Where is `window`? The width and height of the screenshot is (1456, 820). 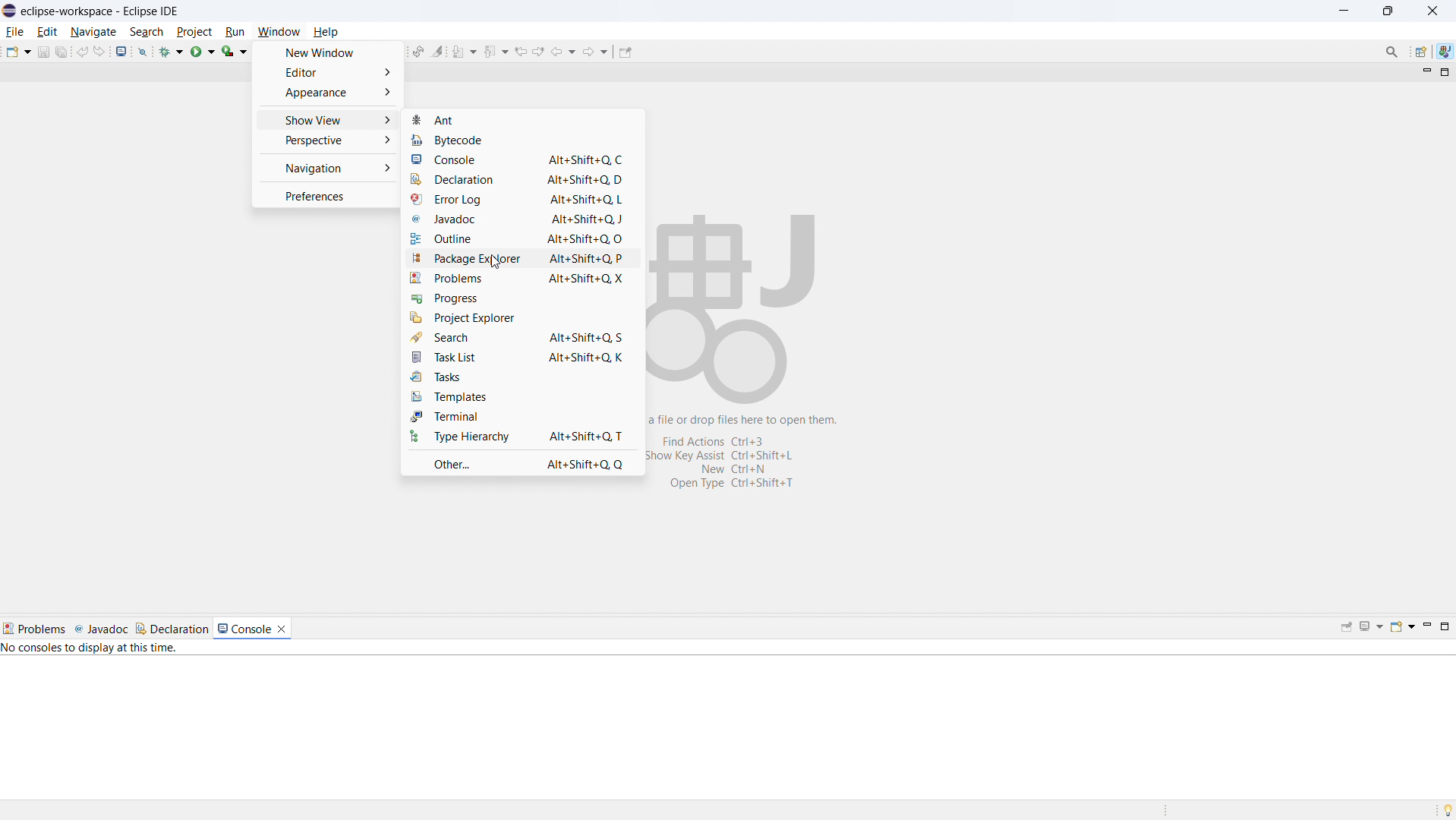
window is located at coordinates (279, 31).